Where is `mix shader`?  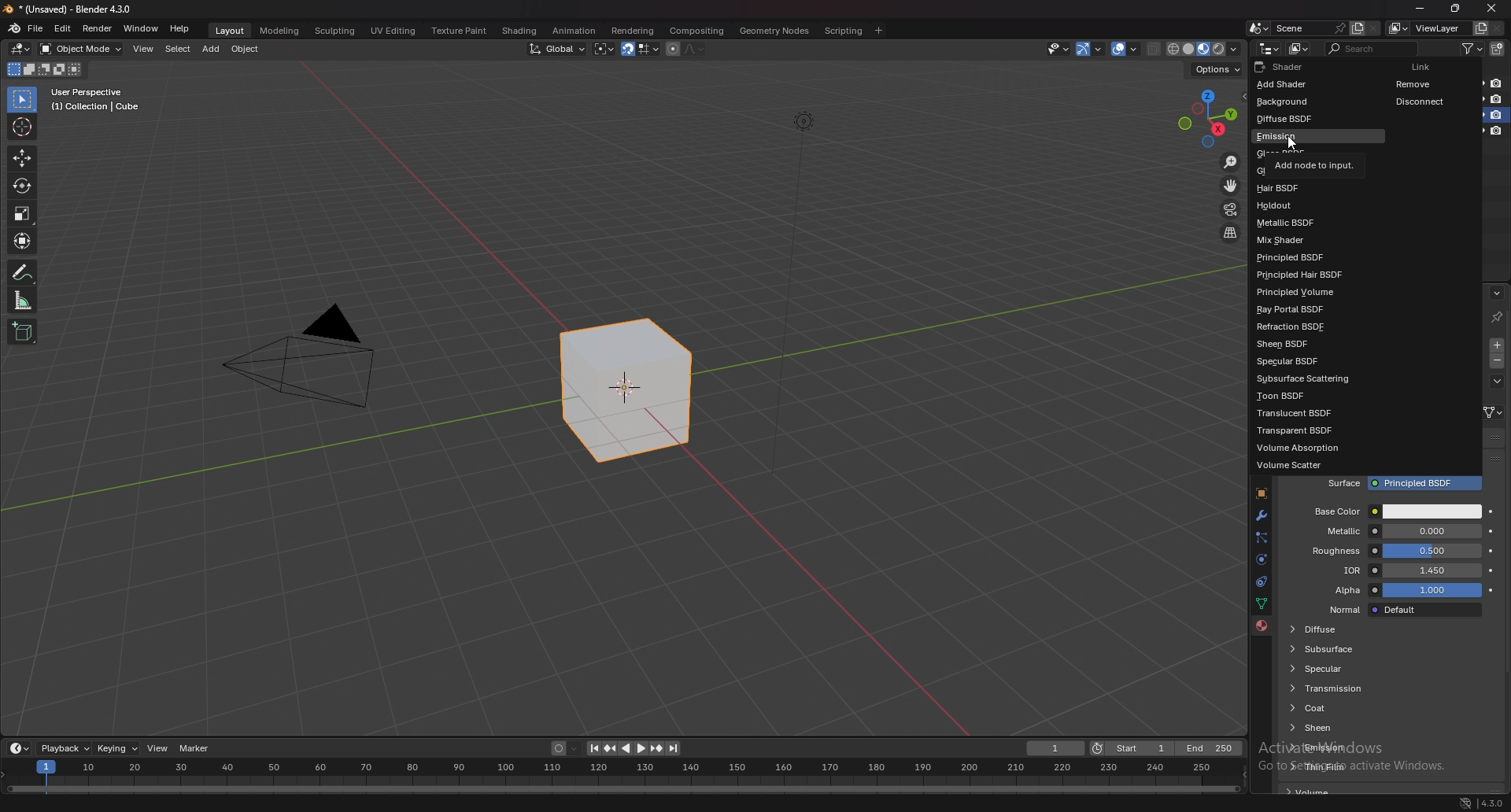
mix shader is located at coordinates (1306, 240).